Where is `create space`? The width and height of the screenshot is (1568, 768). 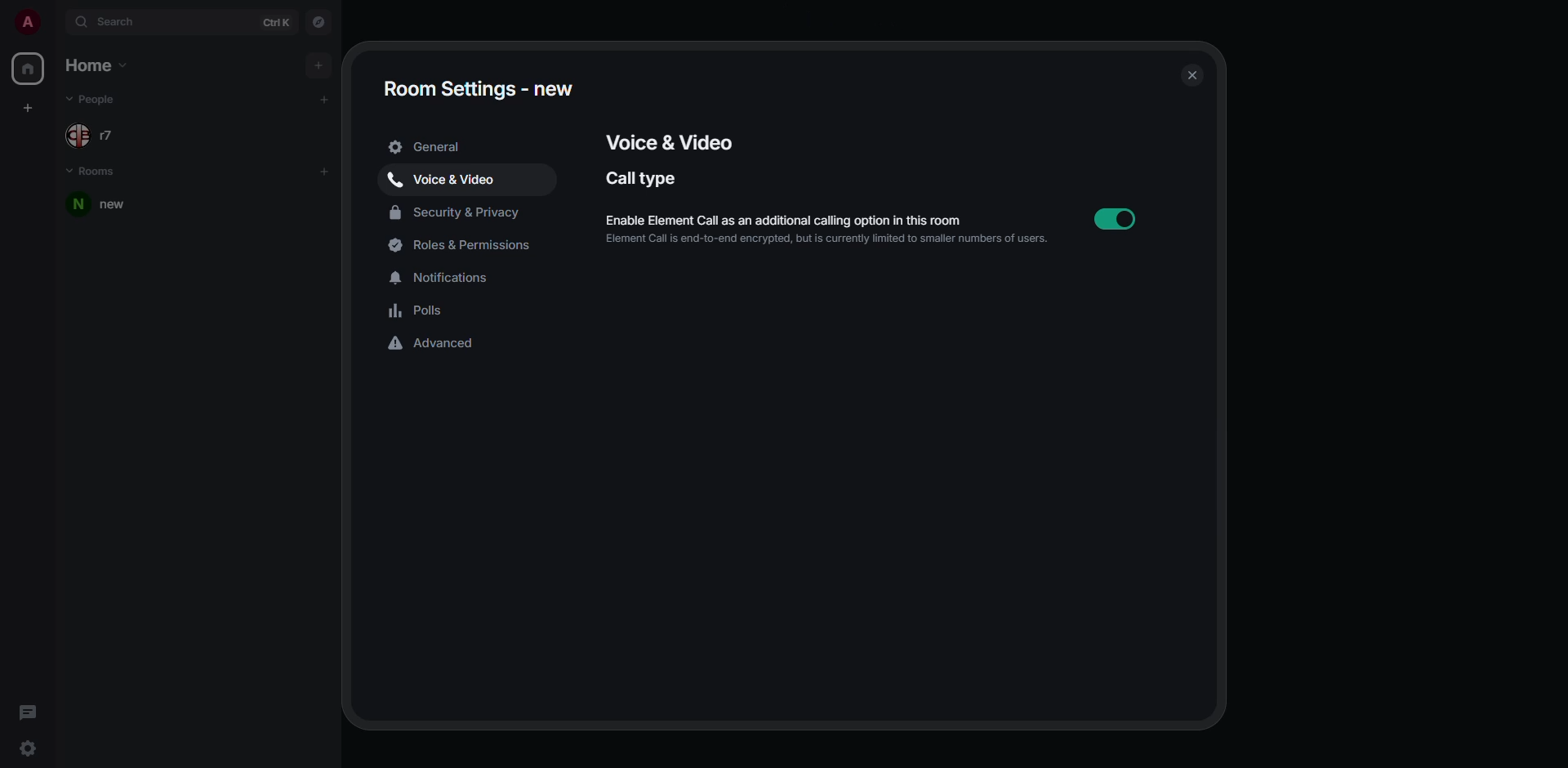 create space is located at coordinates (28, 107).